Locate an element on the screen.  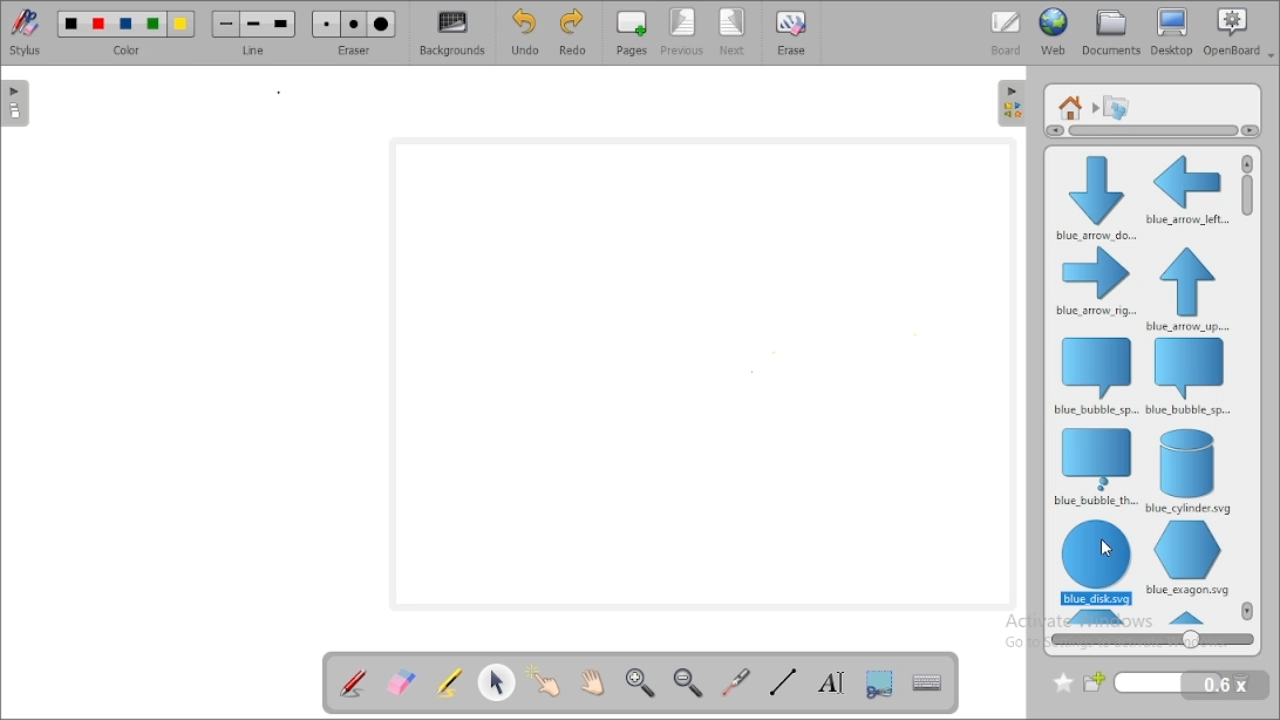
board is located at coordinates (1006, 32).